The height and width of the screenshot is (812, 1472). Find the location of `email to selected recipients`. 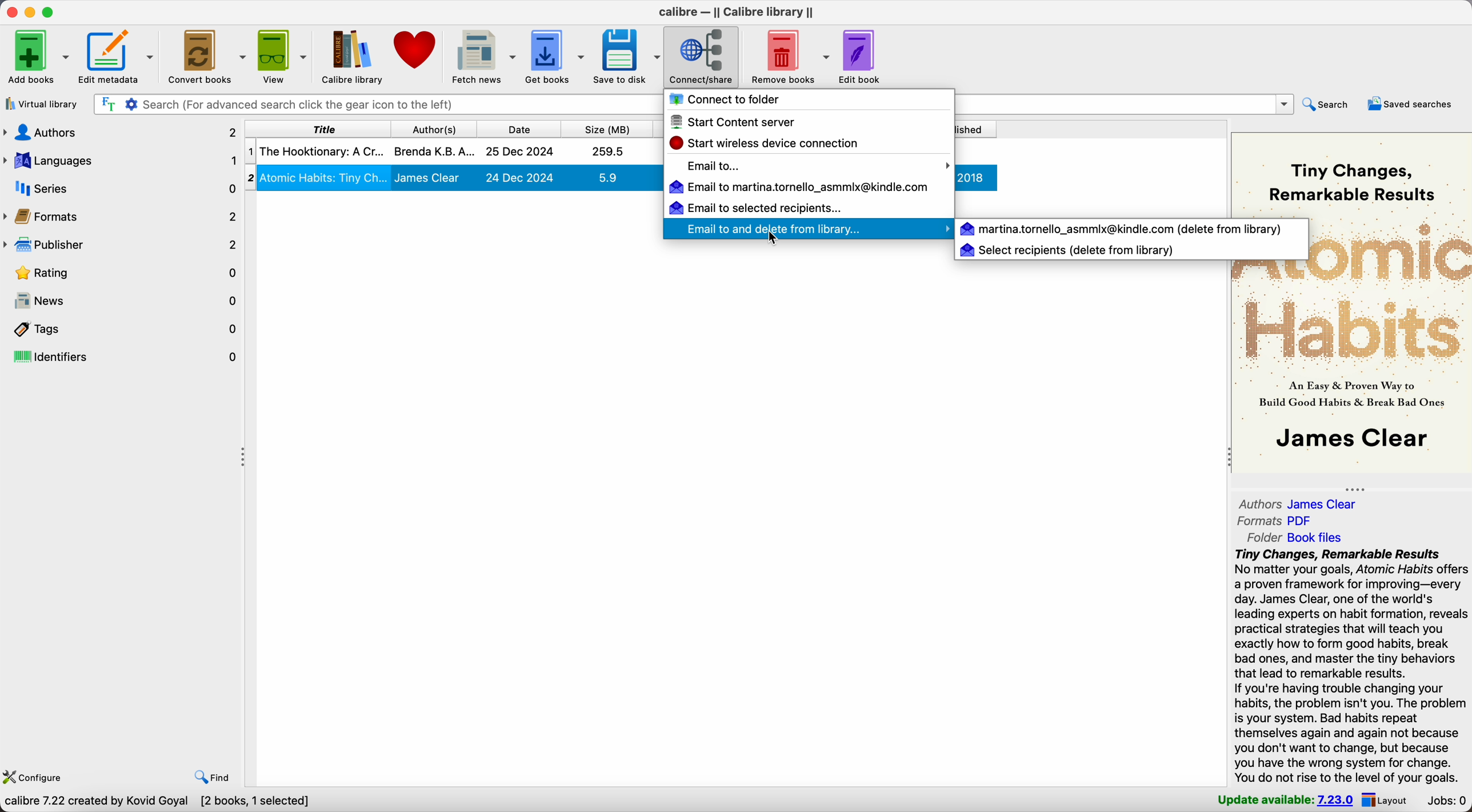

email to selected recipients is located at coordinates (754, 207).